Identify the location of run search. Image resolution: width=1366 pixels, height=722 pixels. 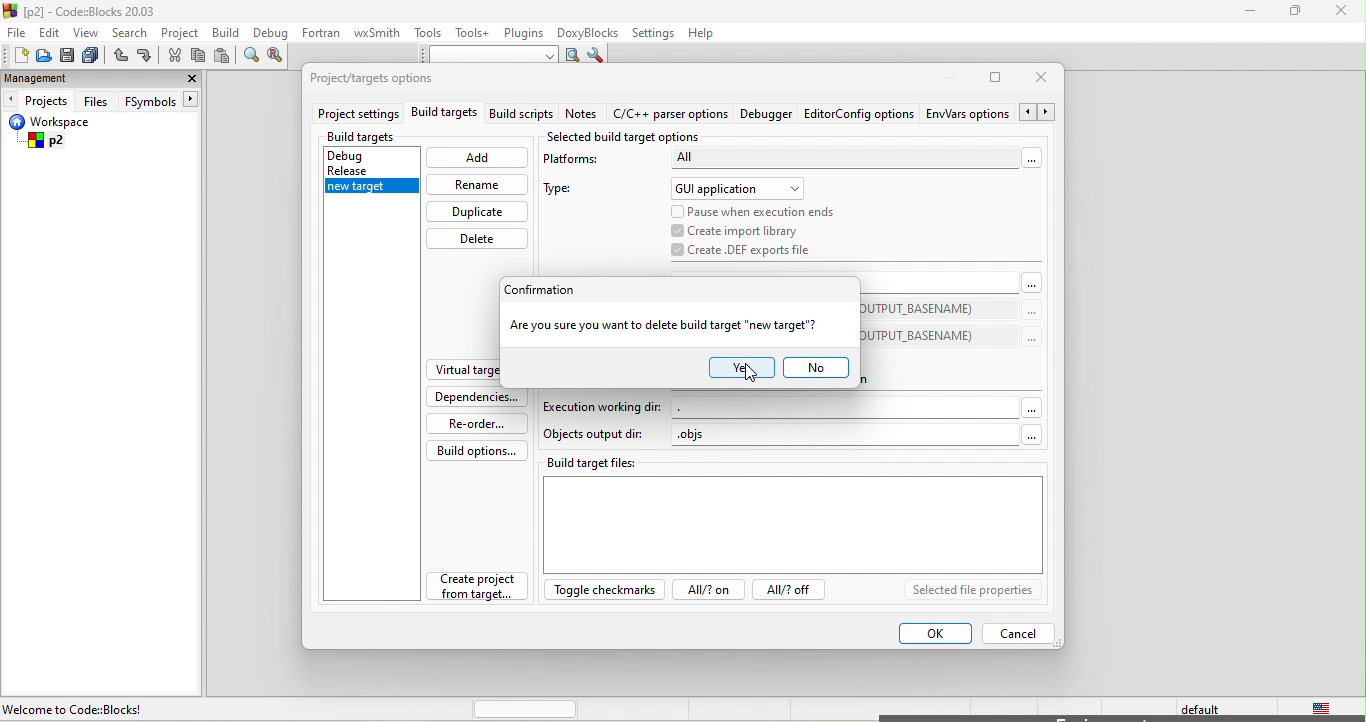
(572, 55).